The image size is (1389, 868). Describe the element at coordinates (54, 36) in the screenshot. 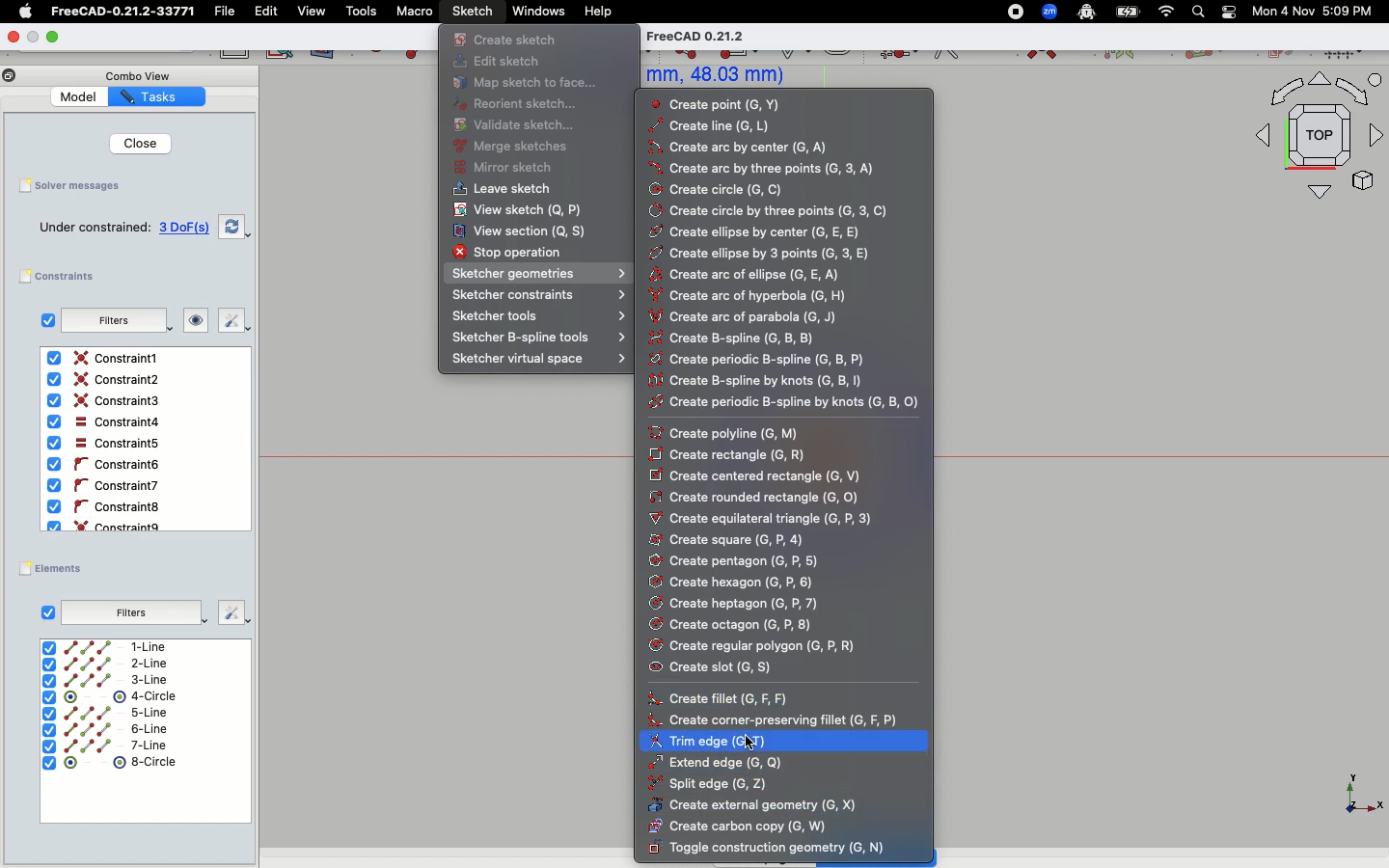

I see `Expand` at that location.